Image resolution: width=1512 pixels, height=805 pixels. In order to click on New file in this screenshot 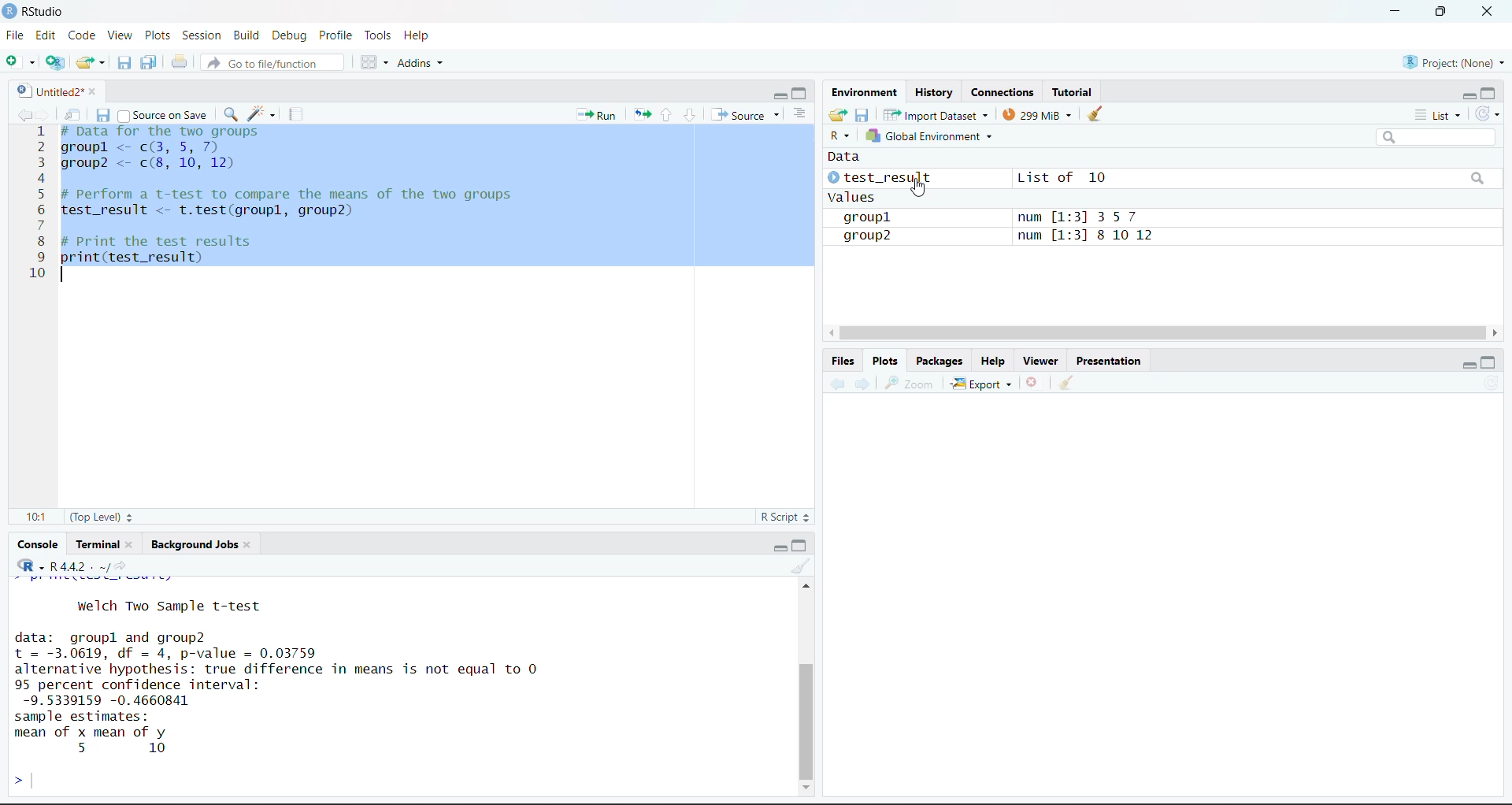, I will do `click(20, 63)`.